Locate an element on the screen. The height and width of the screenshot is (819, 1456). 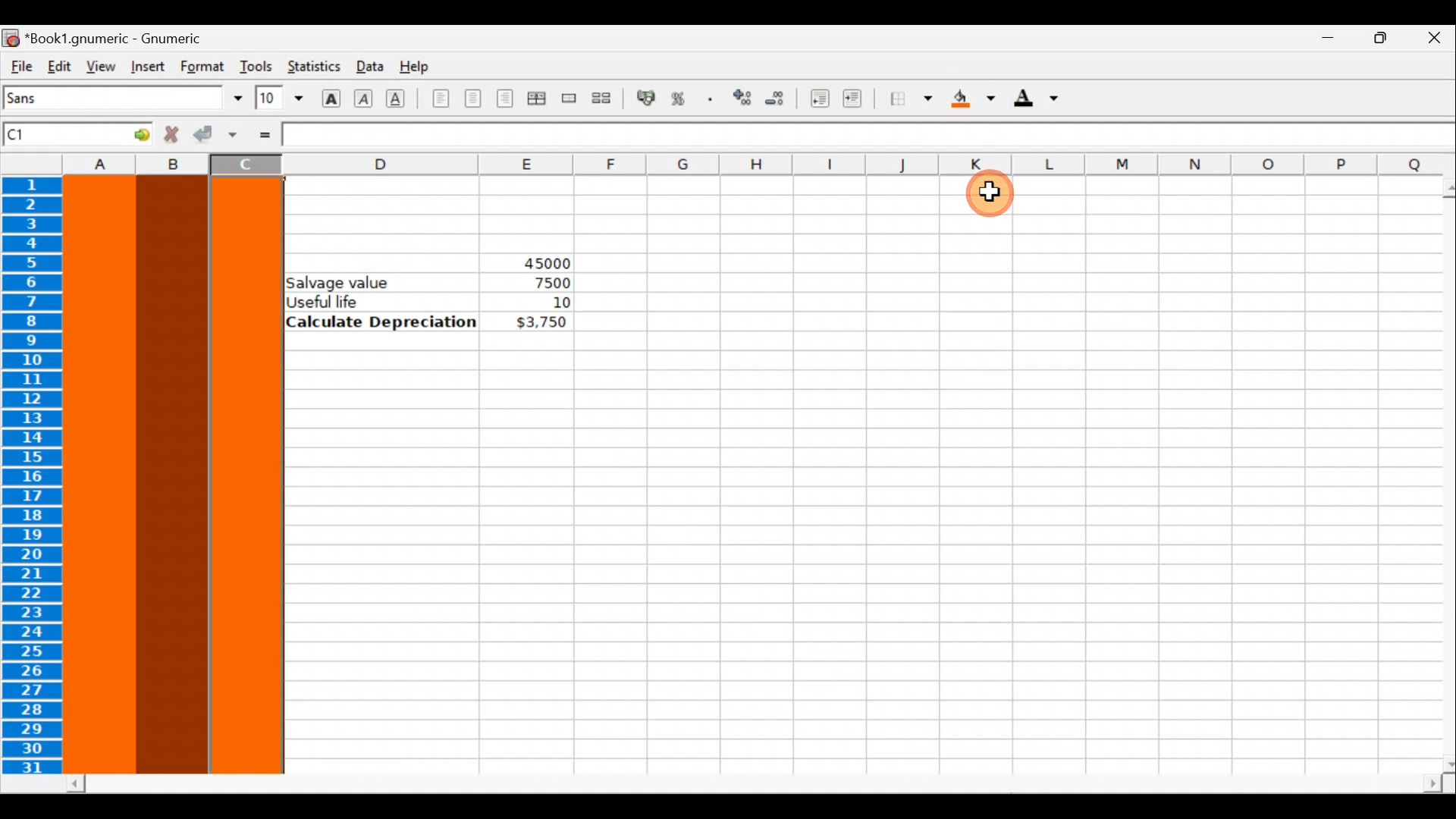
Decrease the number of decimals is located at coordinates (775, 98).